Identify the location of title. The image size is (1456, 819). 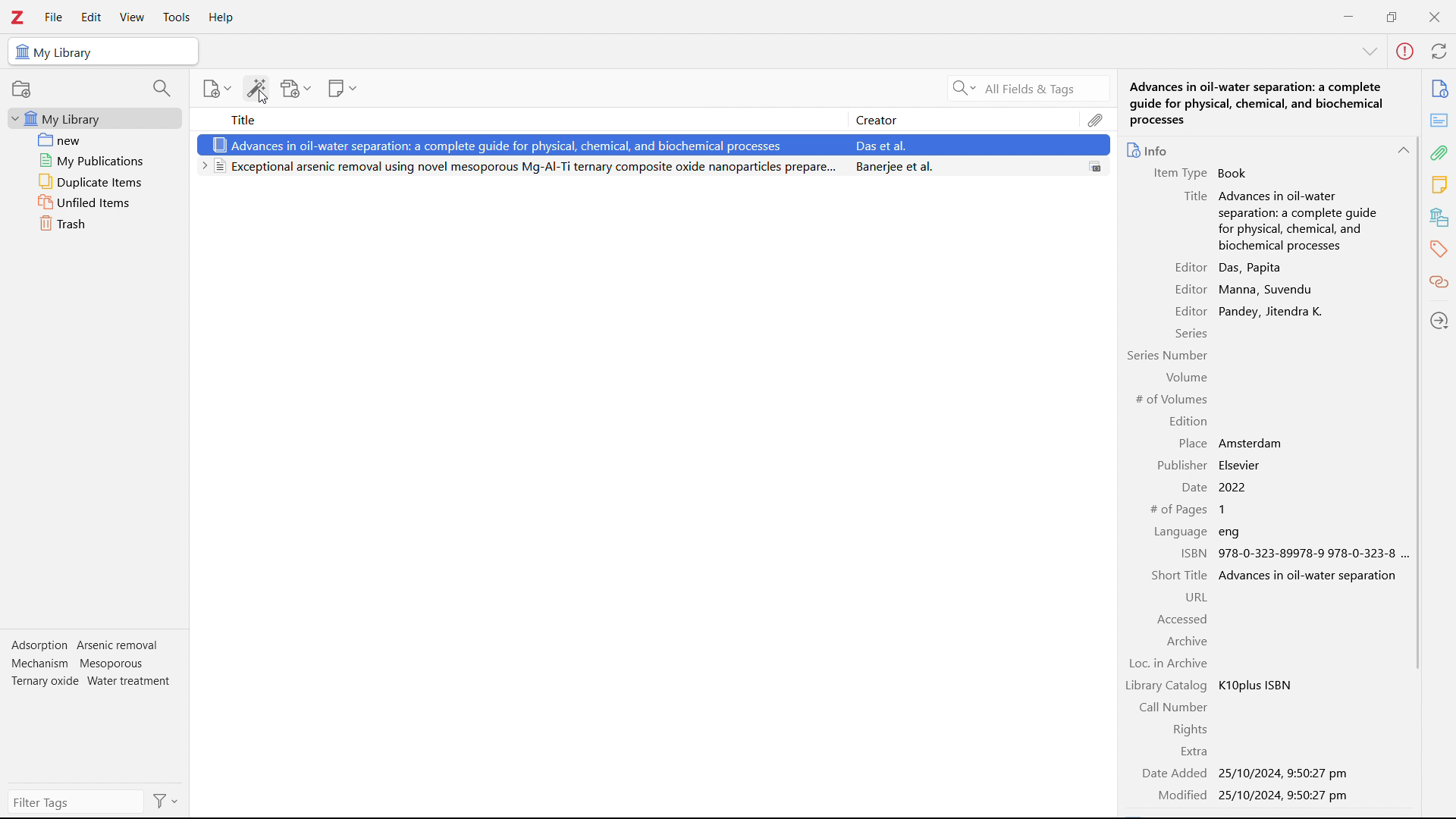
(517, 119).